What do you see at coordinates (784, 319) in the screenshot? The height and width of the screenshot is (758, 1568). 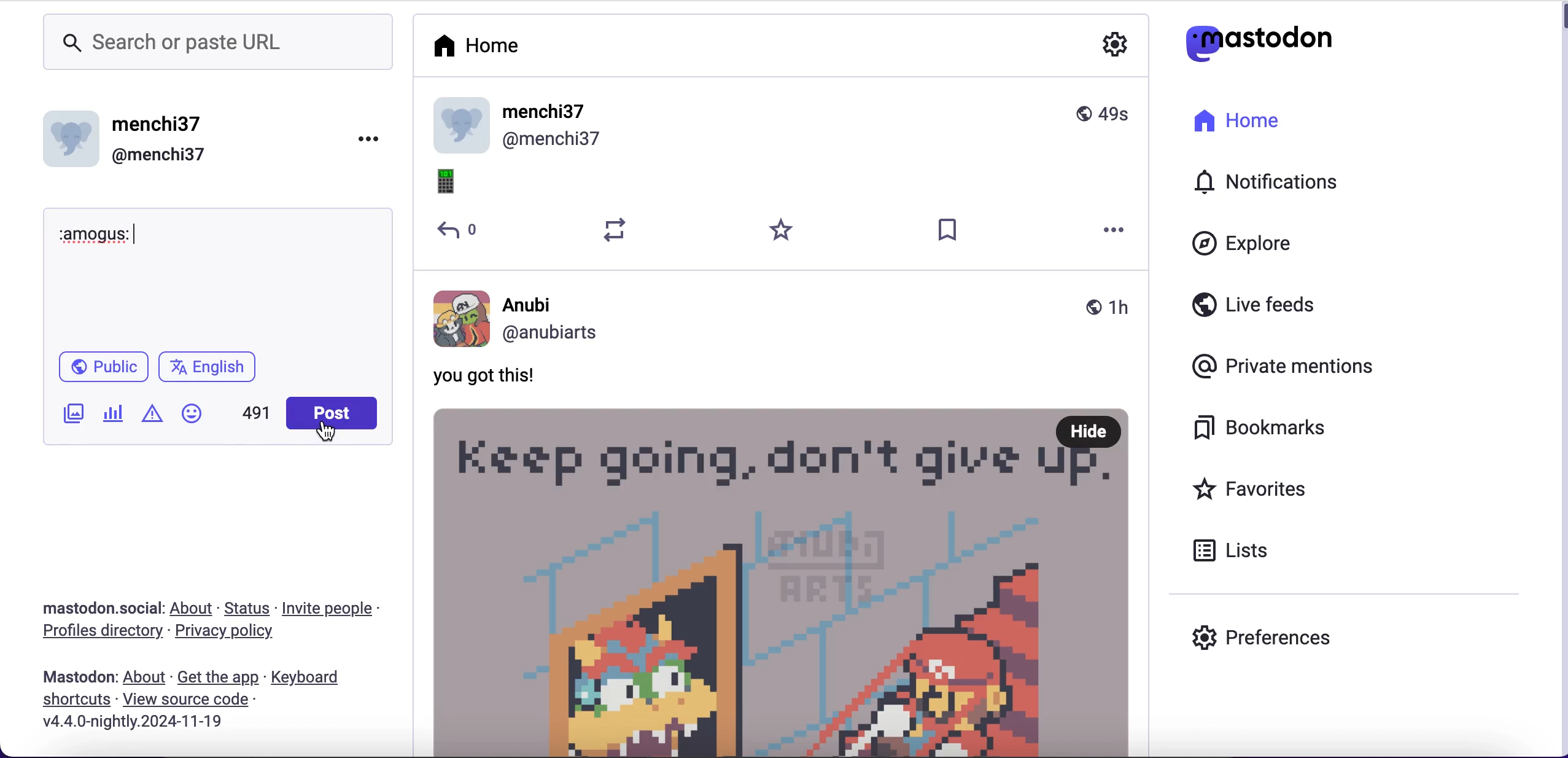 I see `Anubi @anubiarts` at bounding box center [784, 319].